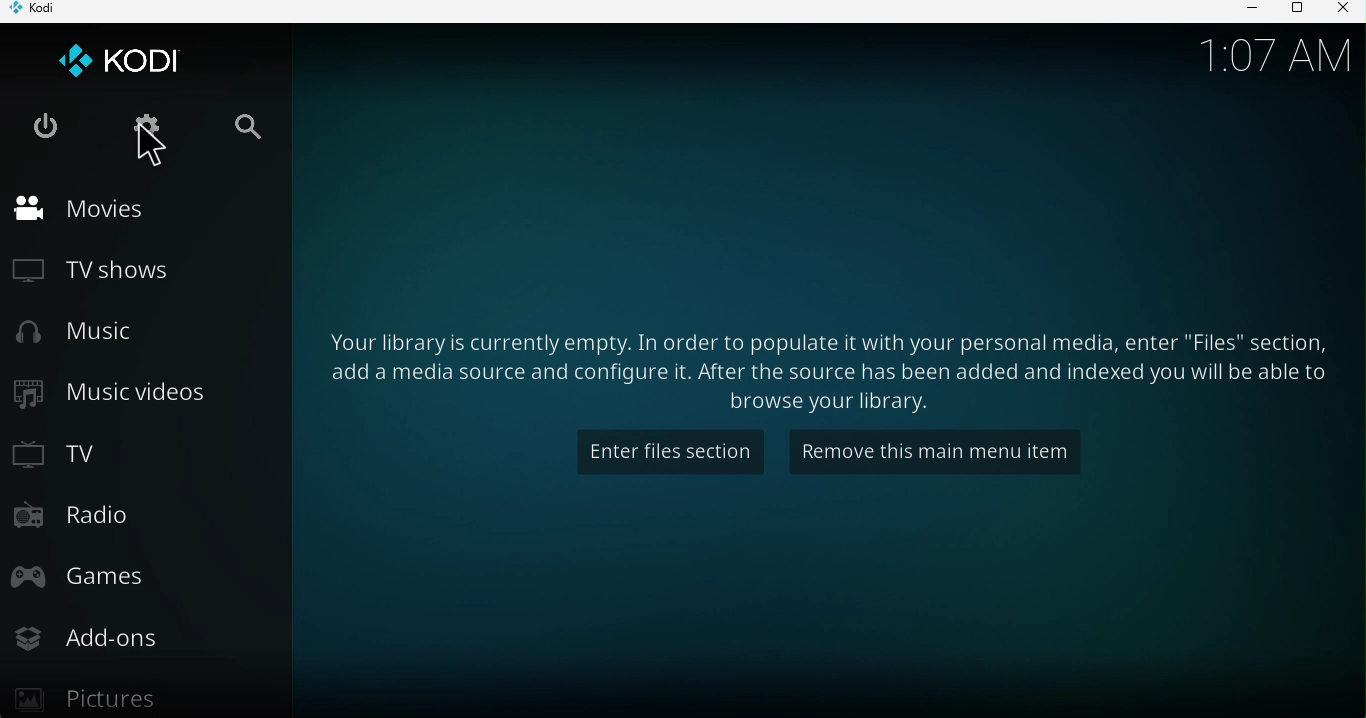 This screenshot has height=718, width=1366. What do you see at coordinates (664, 454) in the screenshot?
I see `Enter files section` at bounding box center [664, 454].